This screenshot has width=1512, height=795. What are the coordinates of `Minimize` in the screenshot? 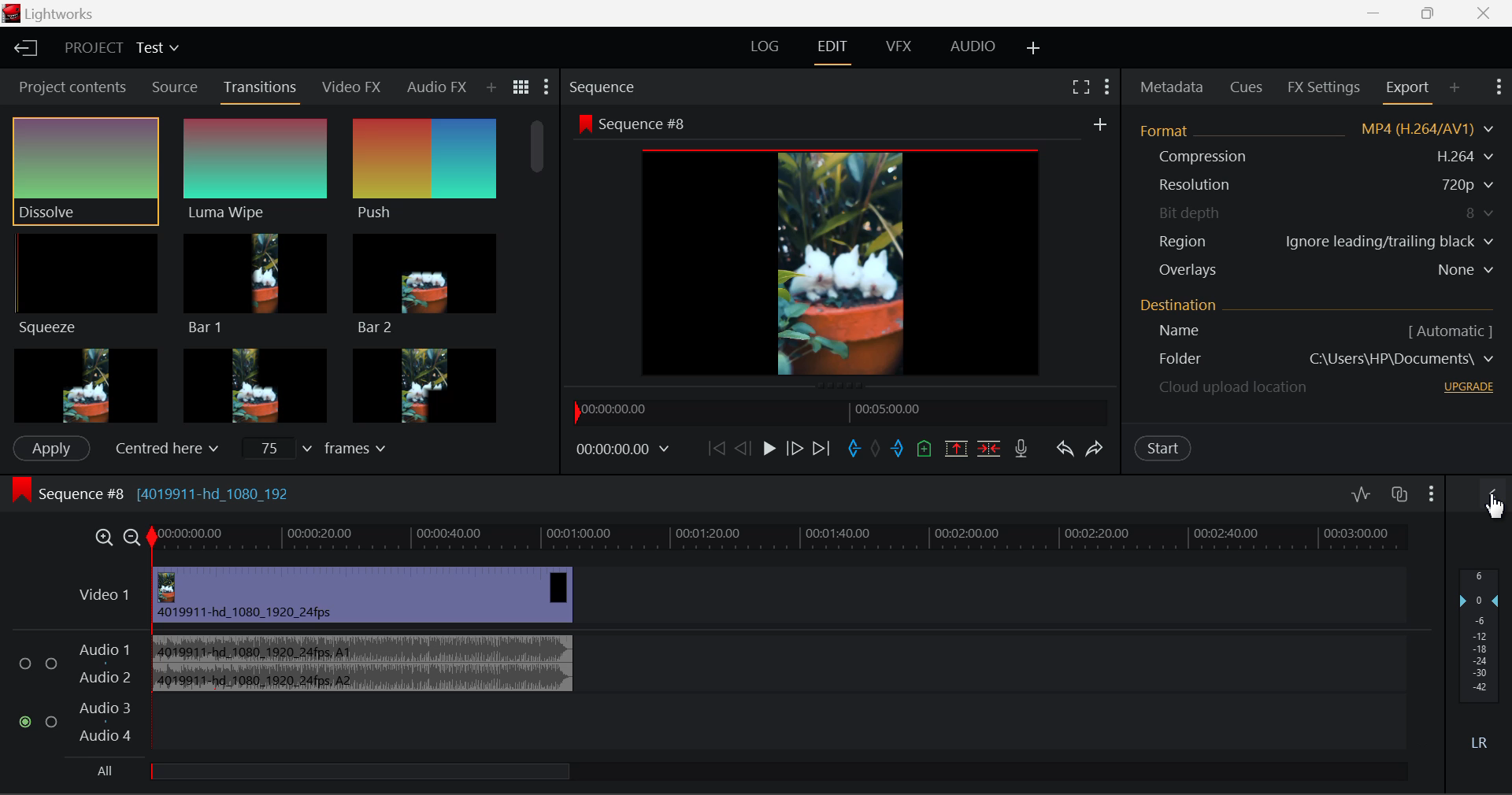 It's located at (1433, 13).